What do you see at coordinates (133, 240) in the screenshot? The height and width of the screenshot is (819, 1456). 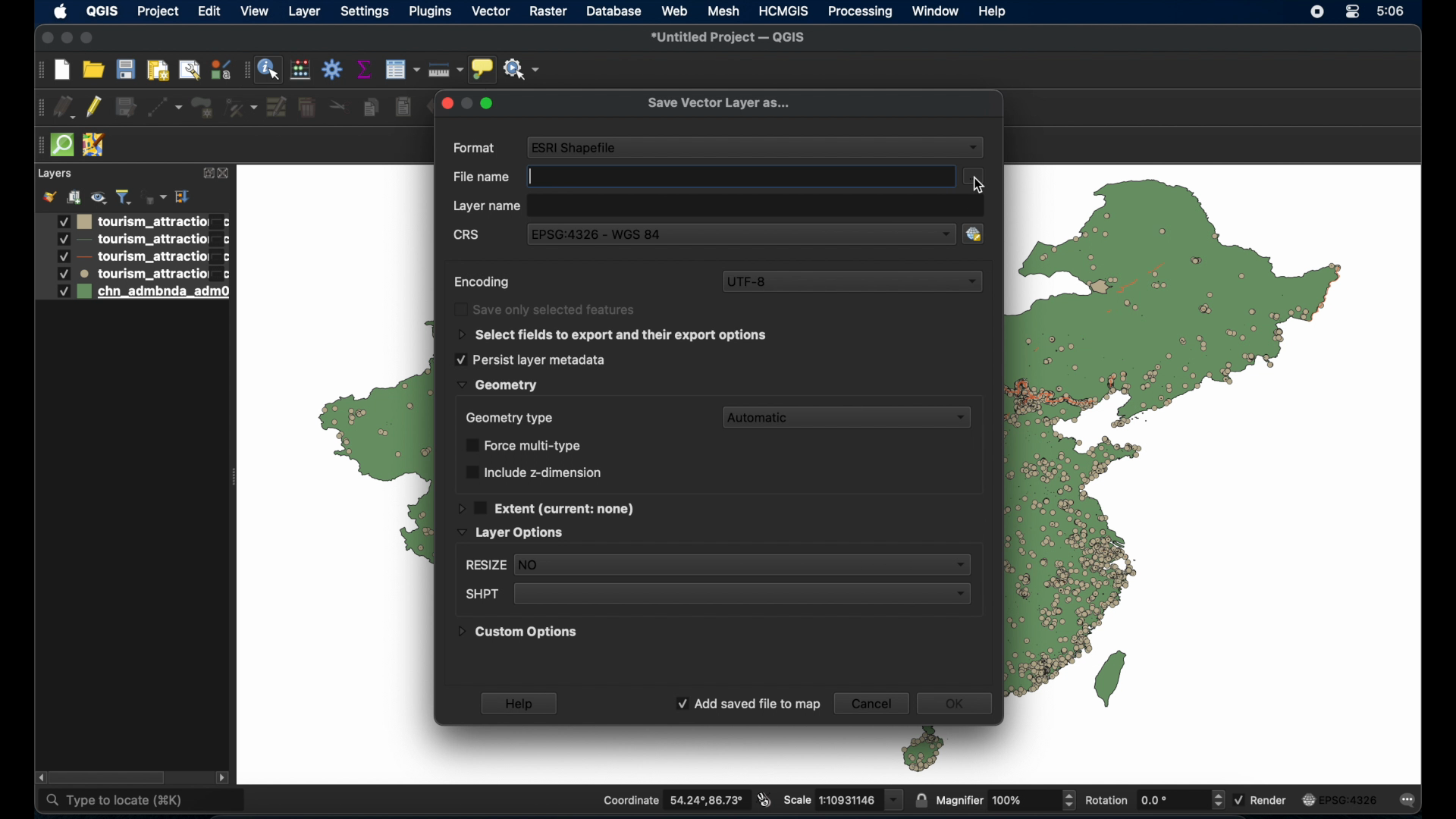 I see `layer 2` at bounding box center [133, 240].